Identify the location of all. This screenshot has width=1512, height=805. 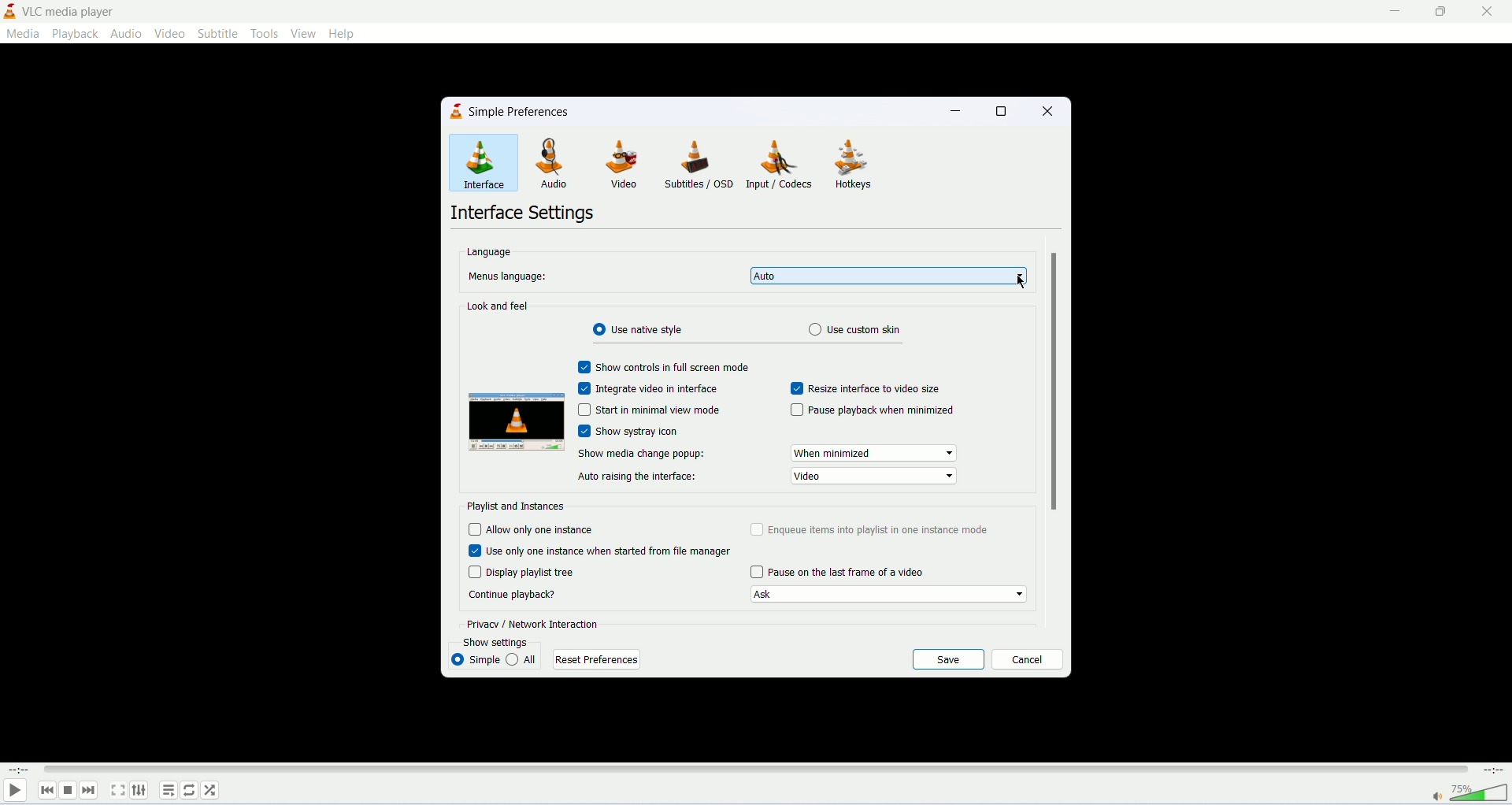
(522, 658).